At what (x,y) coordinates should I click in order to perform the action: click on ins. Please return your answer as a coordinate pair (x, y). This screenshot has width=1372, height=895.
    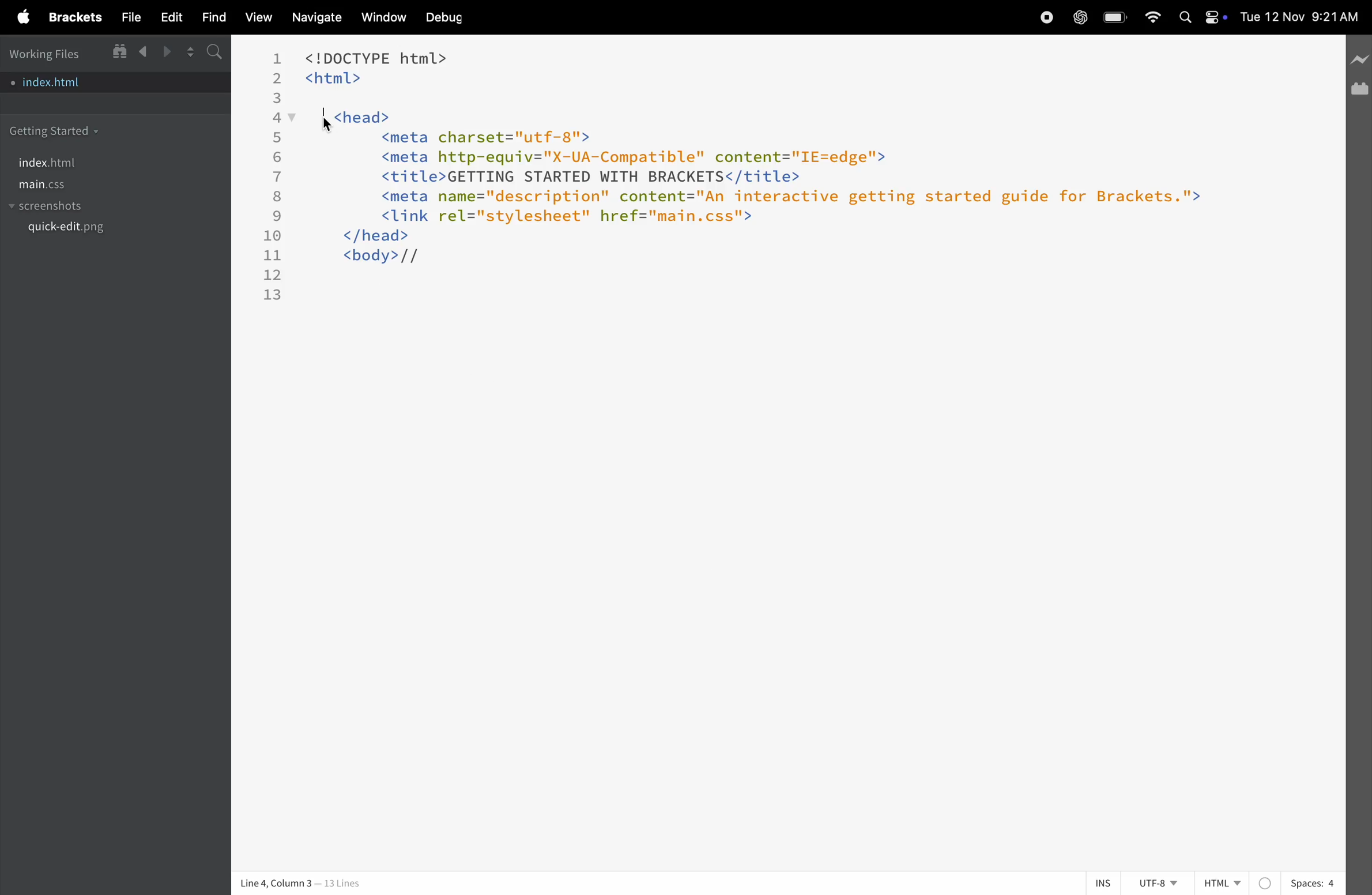
    Looking at the image, I should click on (1095, 883).